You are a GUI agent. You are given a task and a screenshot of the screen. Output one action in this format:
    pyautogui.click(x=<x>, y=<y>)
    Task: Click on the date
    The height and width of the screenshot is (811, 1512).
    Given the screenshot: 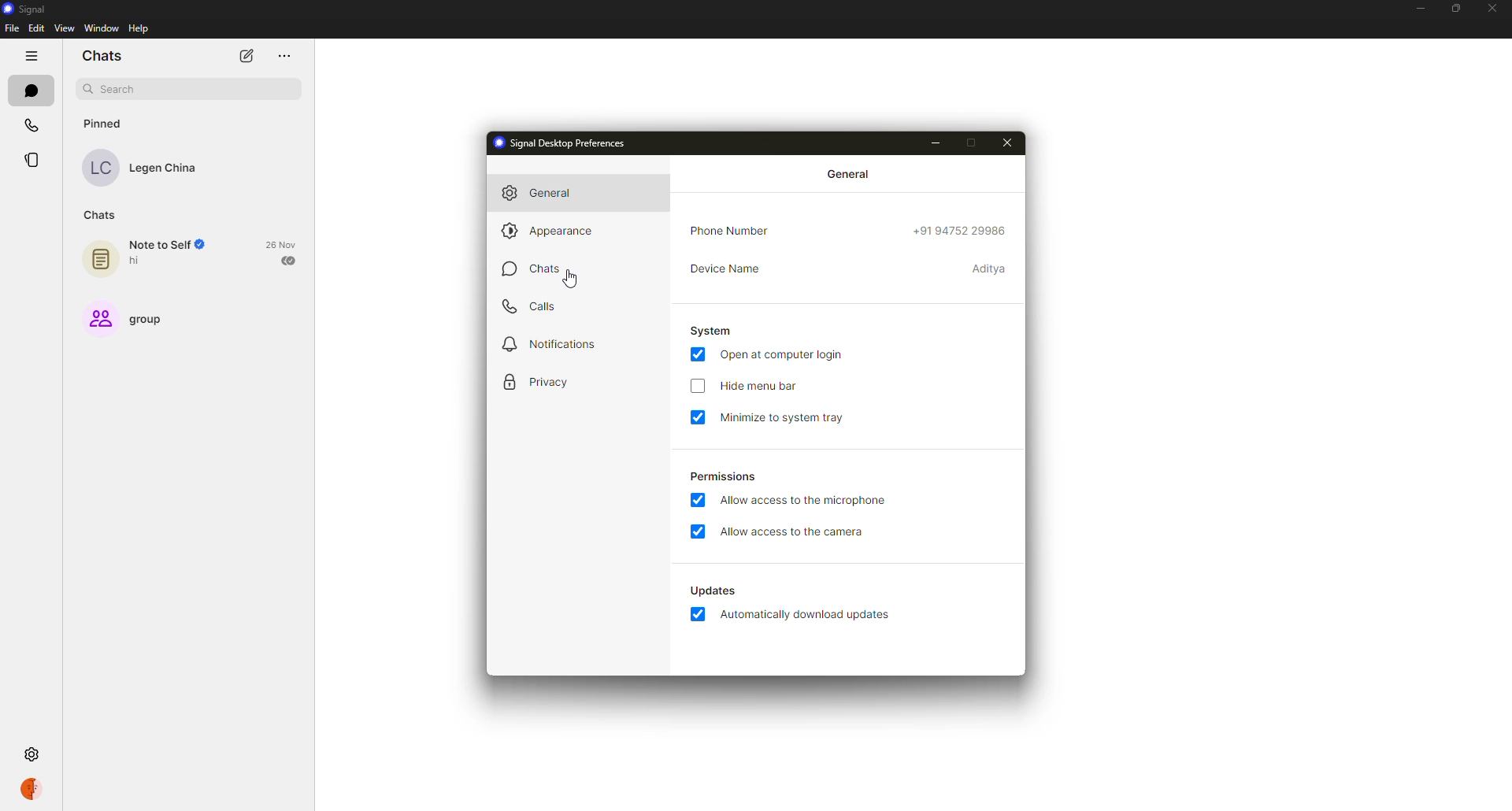 What is the action you would take?
    pyautogui.click(x=282, y=244)
    